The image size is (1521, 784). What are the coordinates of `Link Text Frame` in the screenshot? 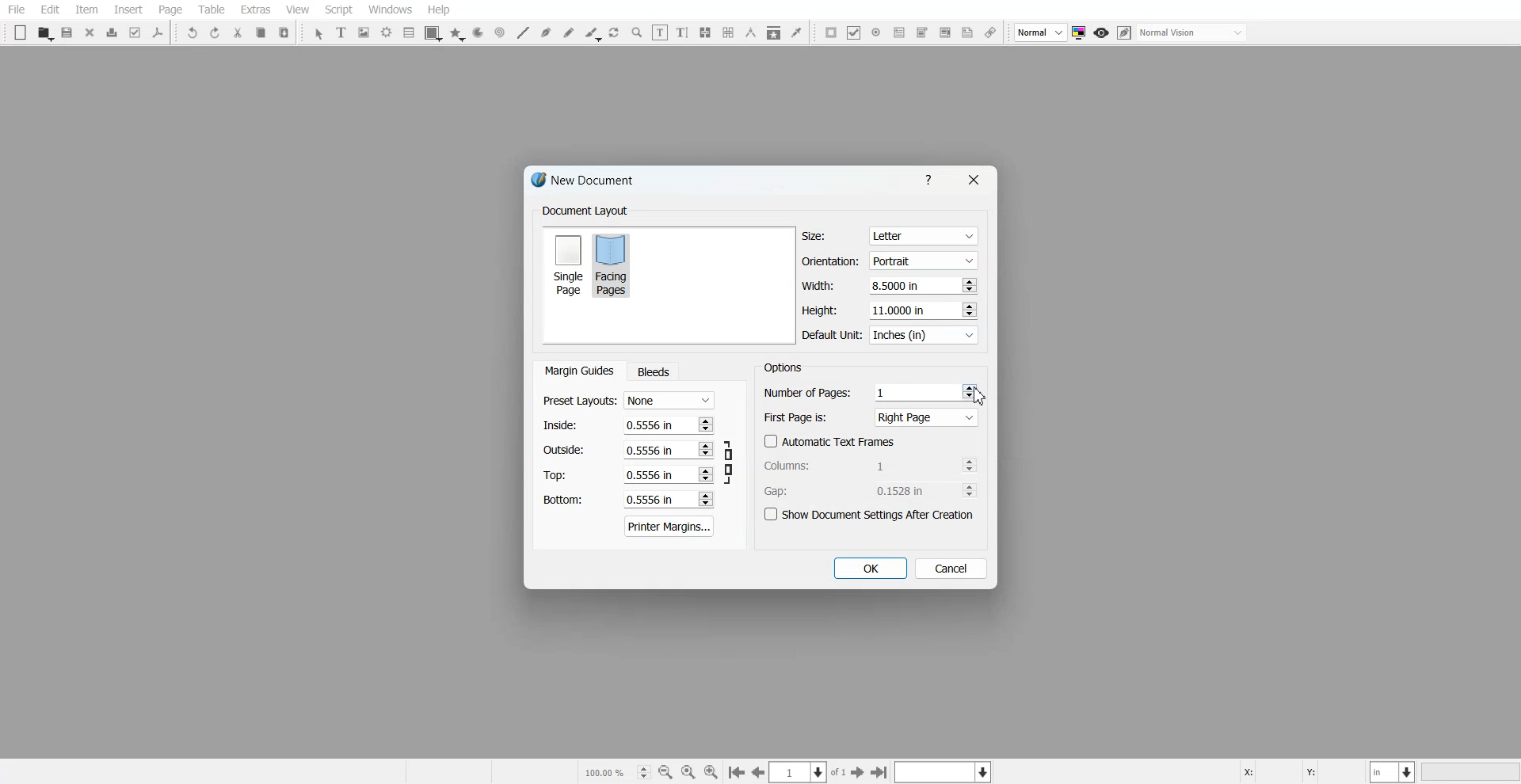 It's located at (705, 32).